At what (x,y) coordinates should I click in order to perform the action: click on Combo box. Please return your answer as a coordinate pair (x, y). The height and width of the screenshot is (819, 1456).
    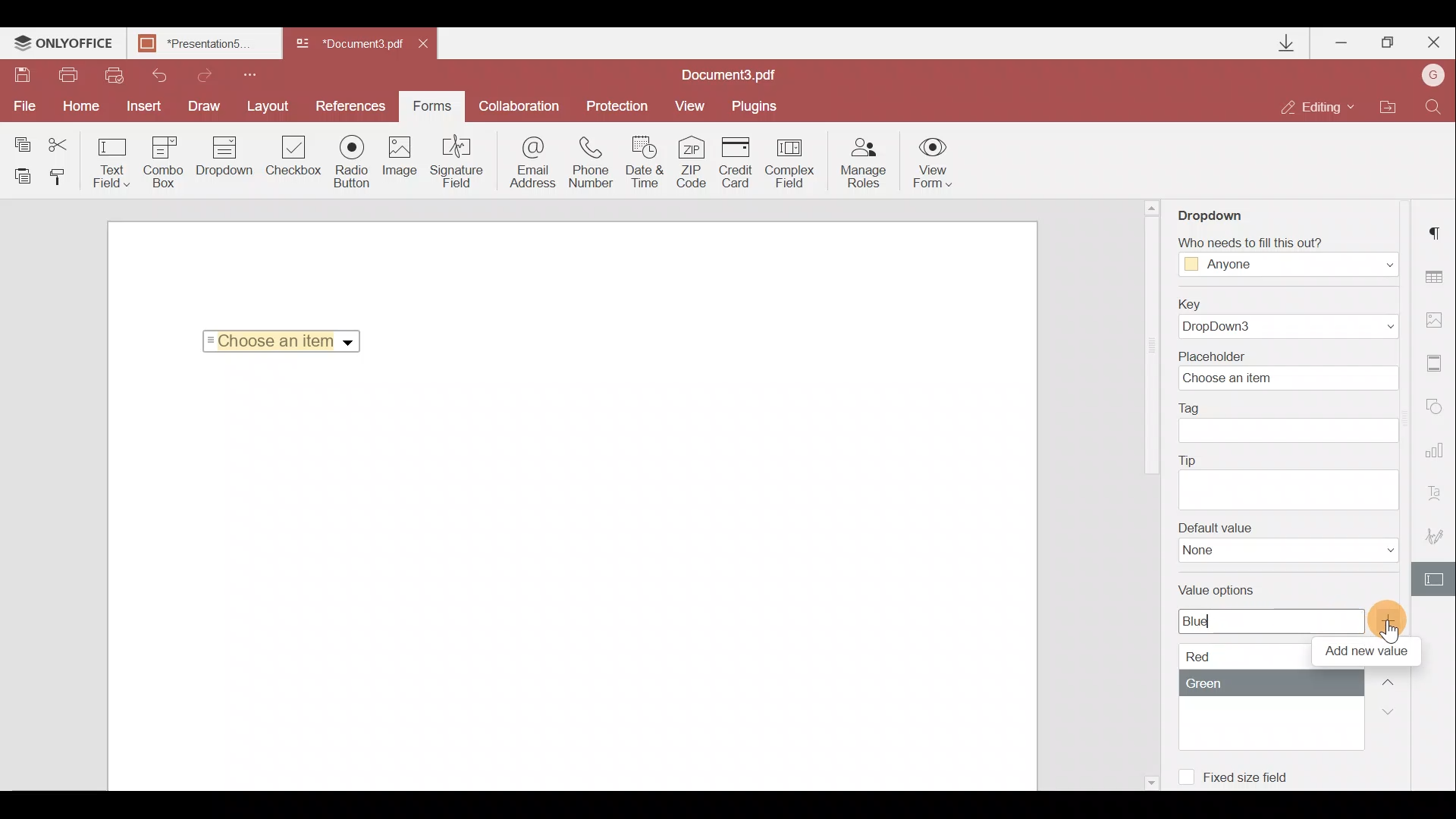
    Looking at the image, I should click on (162, 162).